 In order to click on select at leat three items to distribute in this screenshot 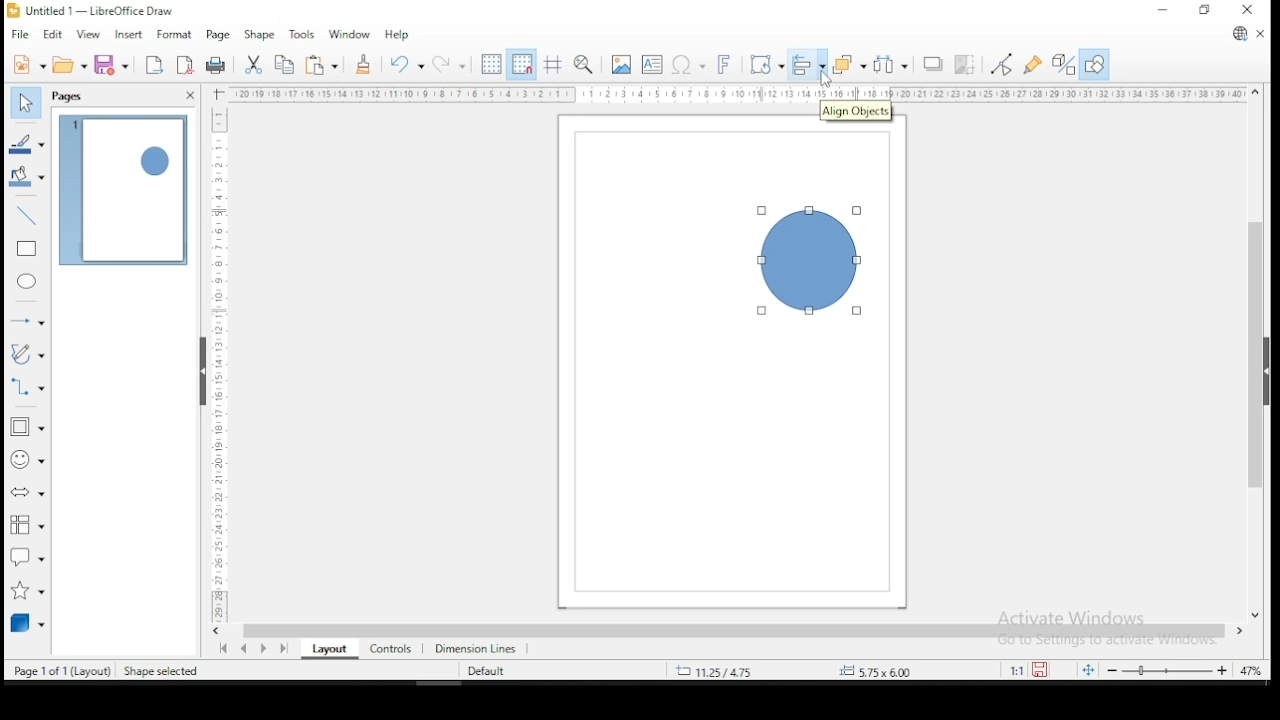, I will do `click(892, 64)`.